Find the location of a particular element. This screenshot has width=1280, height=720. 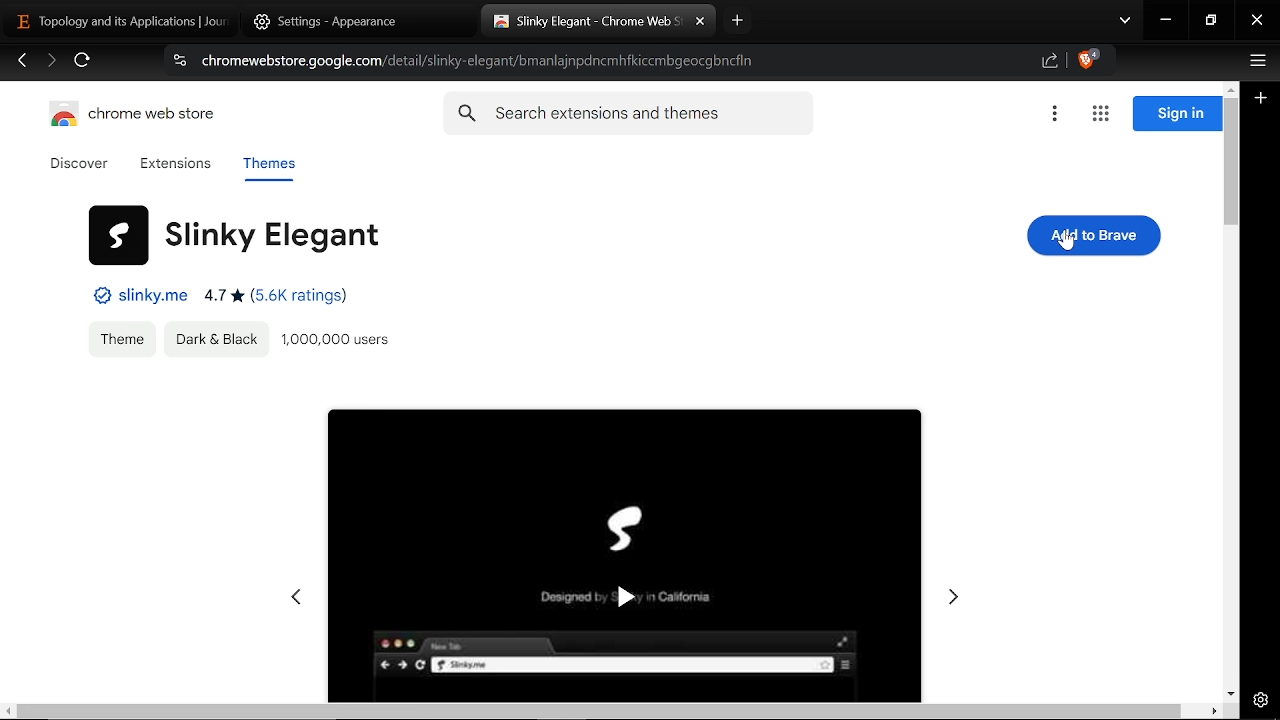

Add to brave is located at coordinates (1093, 234).